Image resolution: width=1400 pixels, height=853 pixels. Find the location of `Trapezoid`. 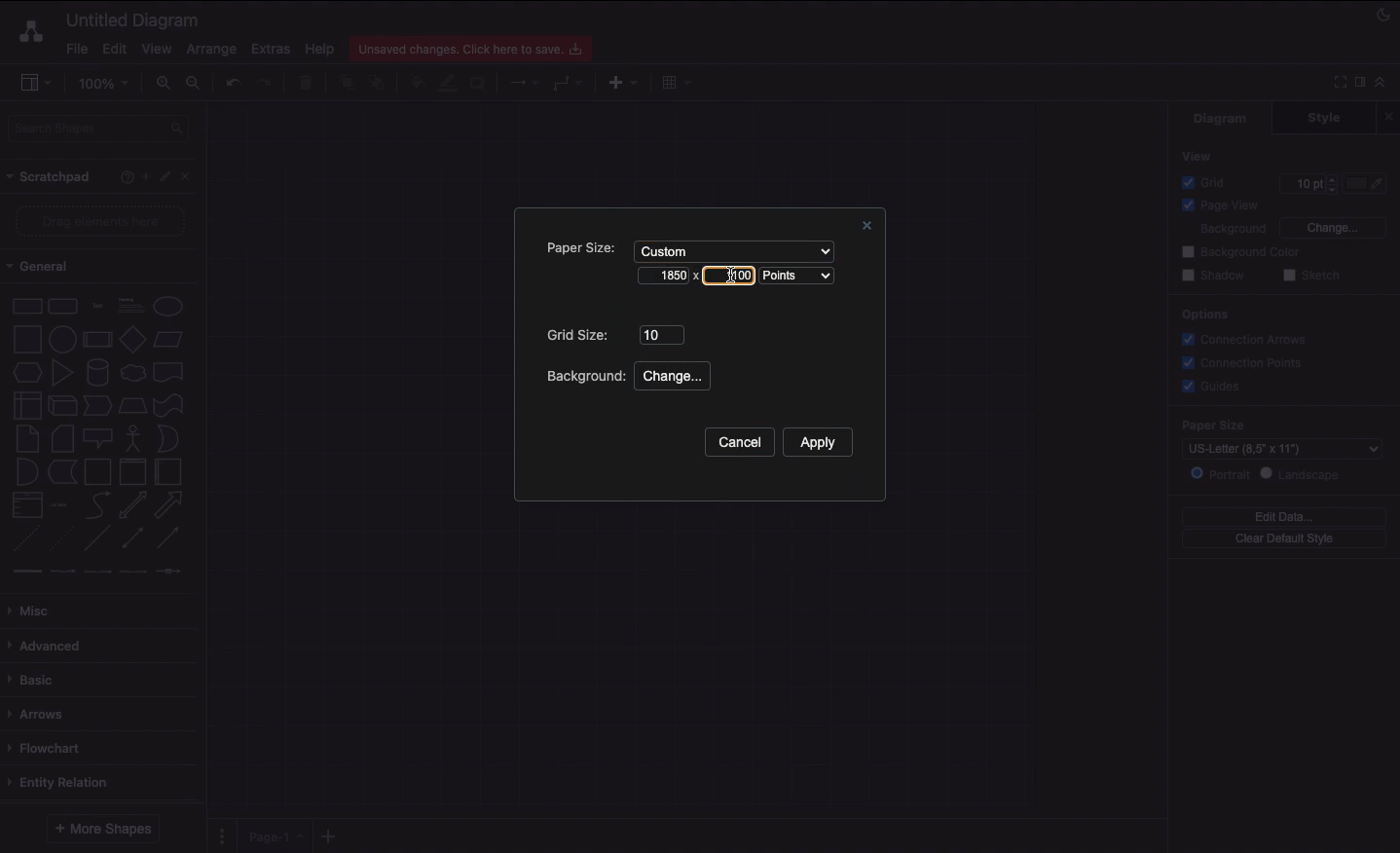

Trapezoid is located at coordinates (130, 406).